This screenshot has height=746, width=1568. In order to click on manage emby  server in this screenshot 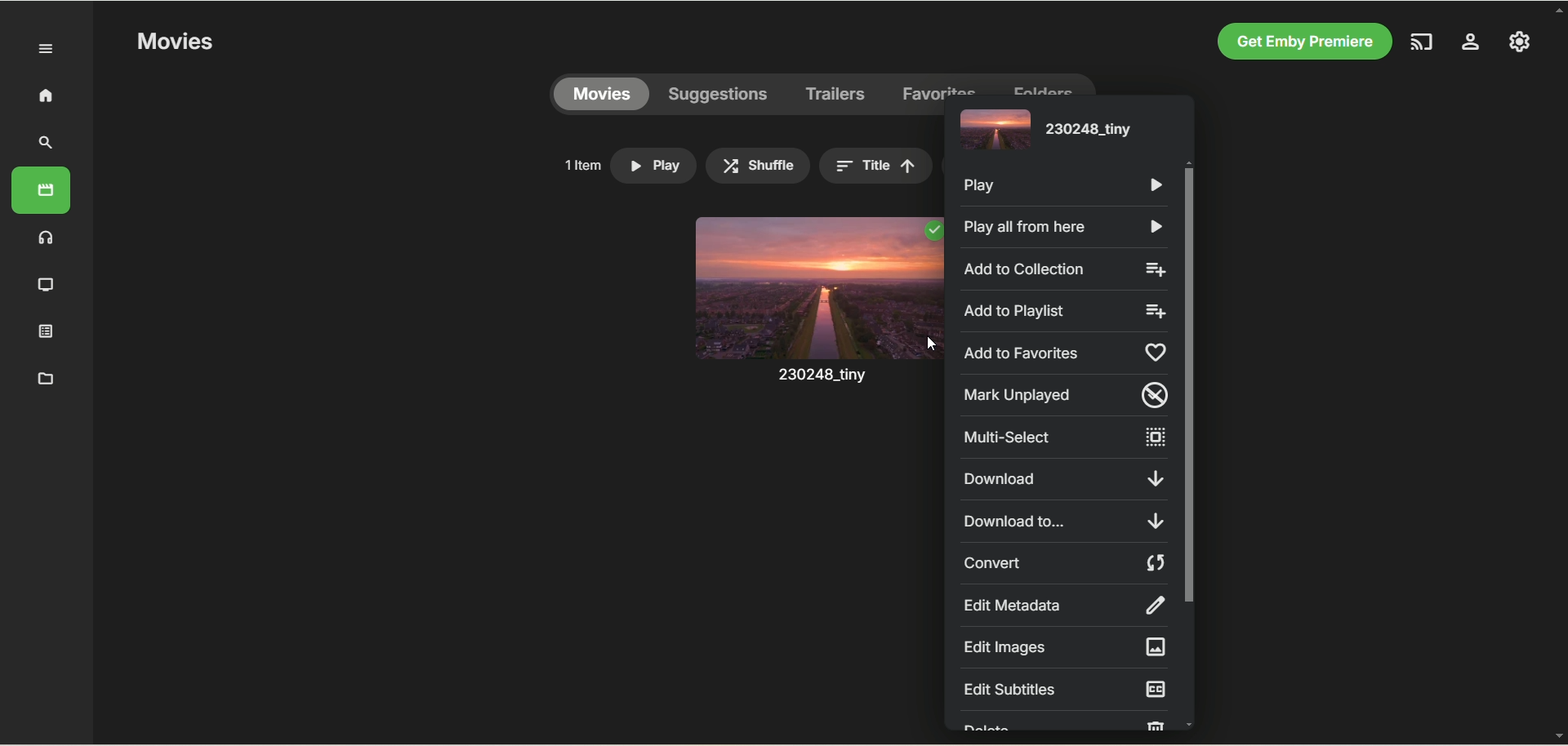, I will do `click(1520, 41)`.